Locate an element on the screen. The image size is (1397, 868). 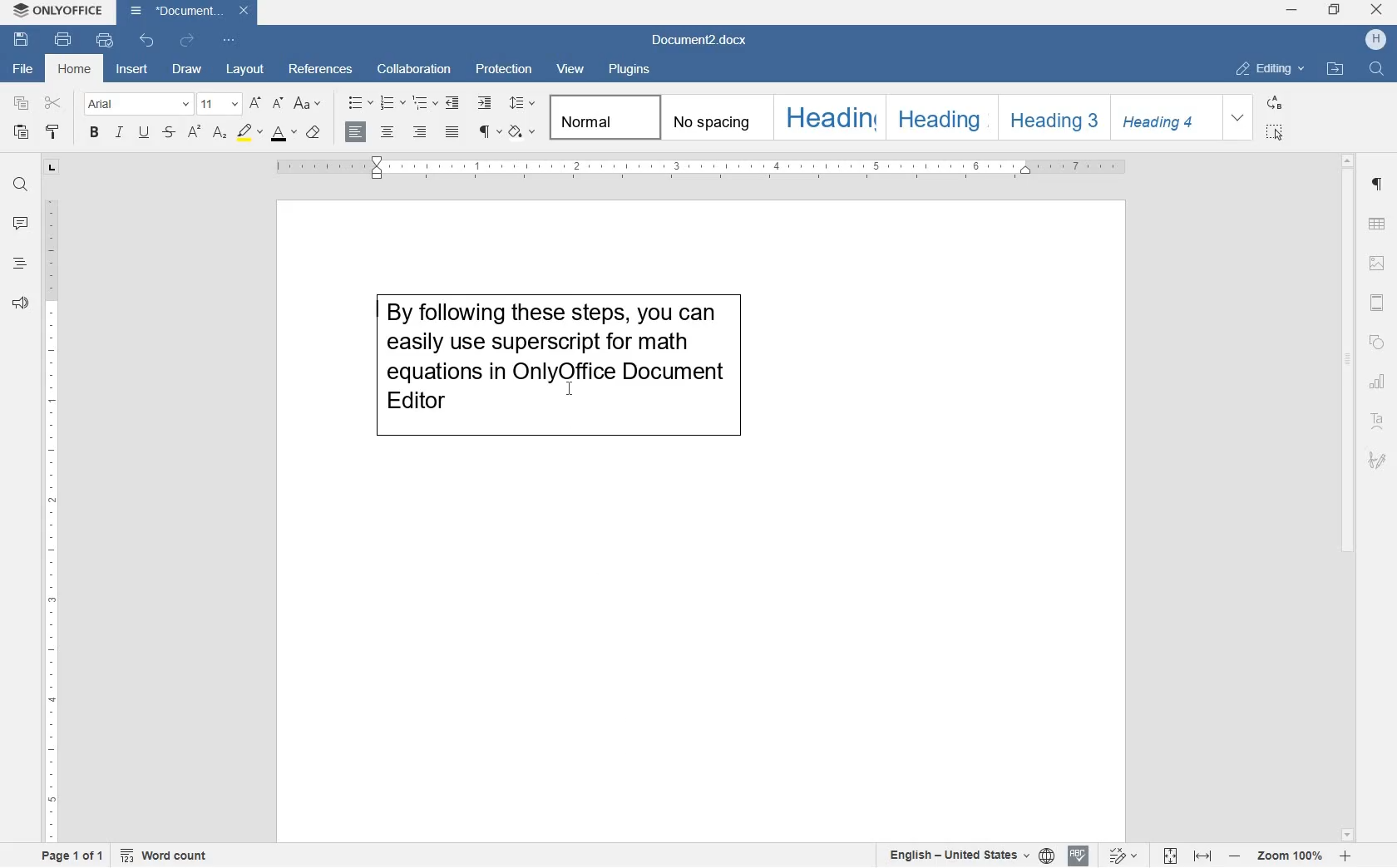
table is located at coordinates (1378, 225).